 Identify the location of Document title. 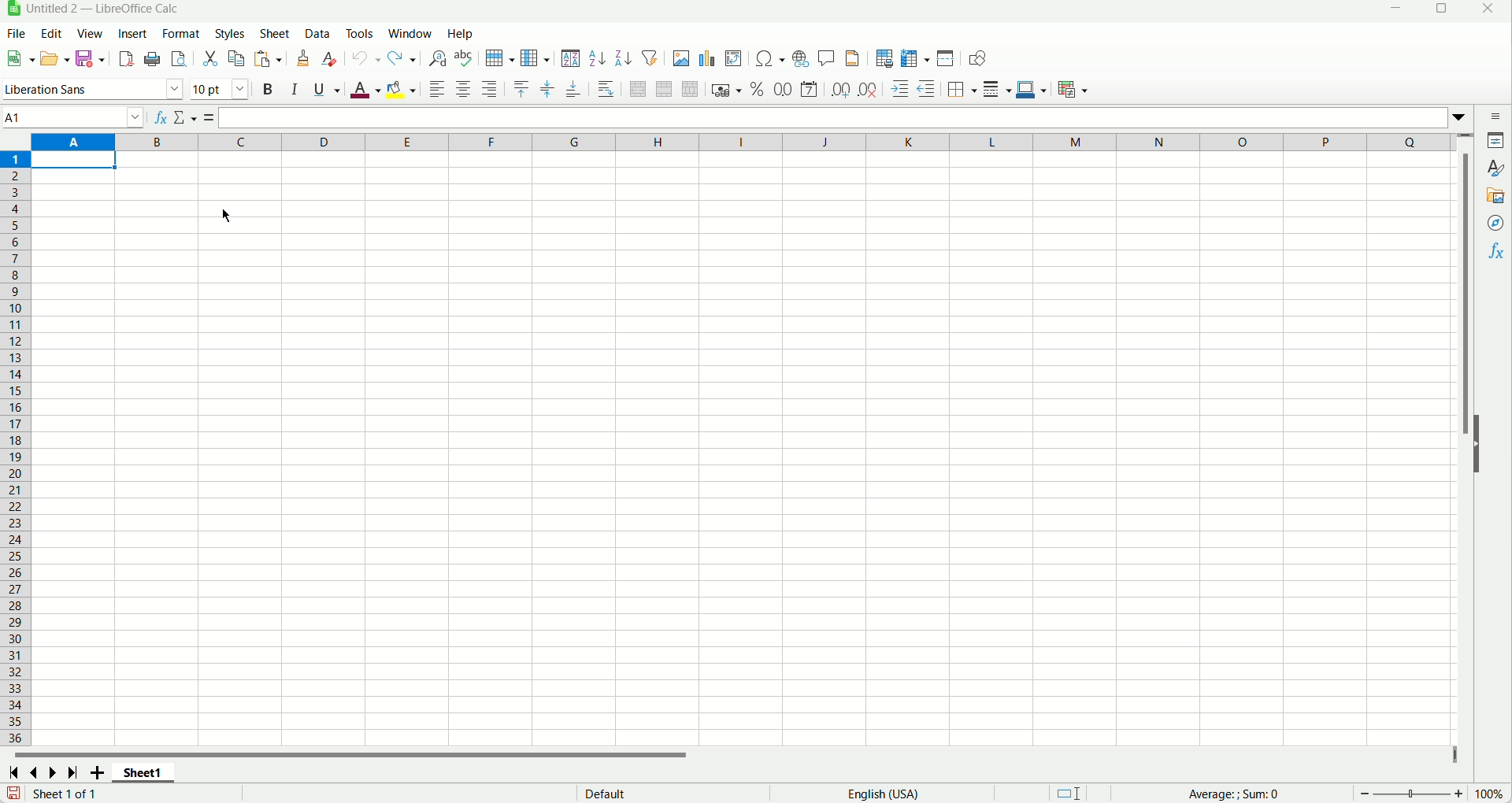
(105, 9).